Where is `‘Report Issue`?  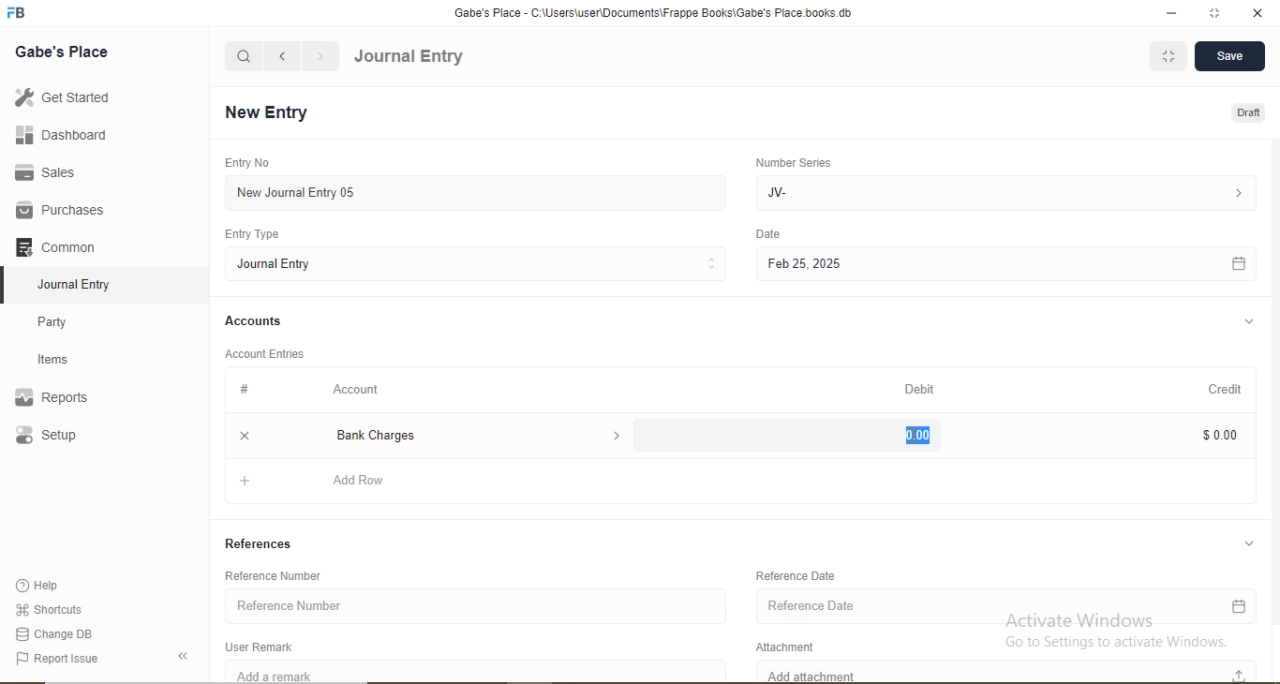
‘Report Issue is located at coordinates (78, 659).